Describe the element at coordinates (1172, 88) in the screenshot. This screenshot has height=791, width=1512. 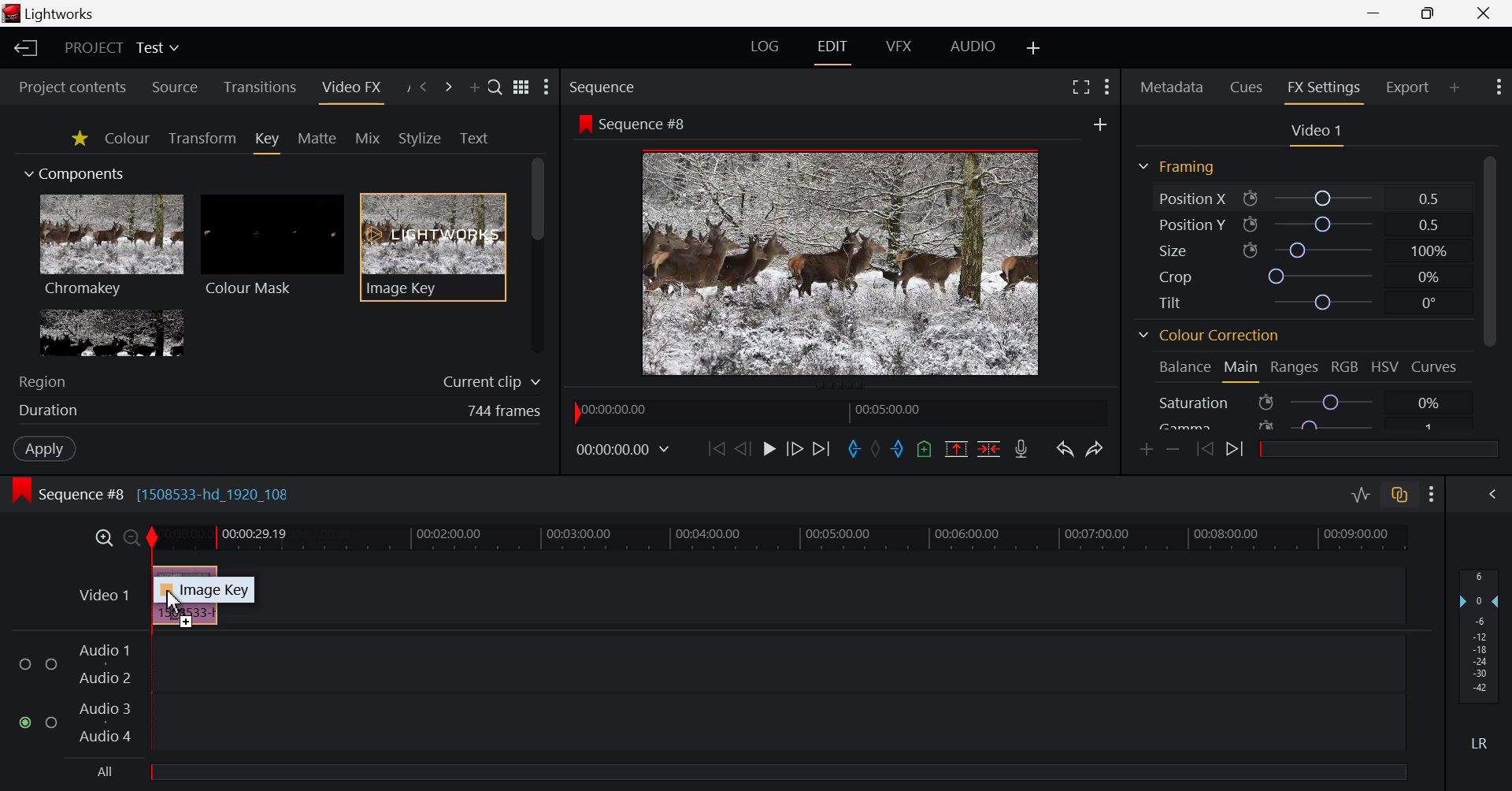
I see `Metadata` at that location.